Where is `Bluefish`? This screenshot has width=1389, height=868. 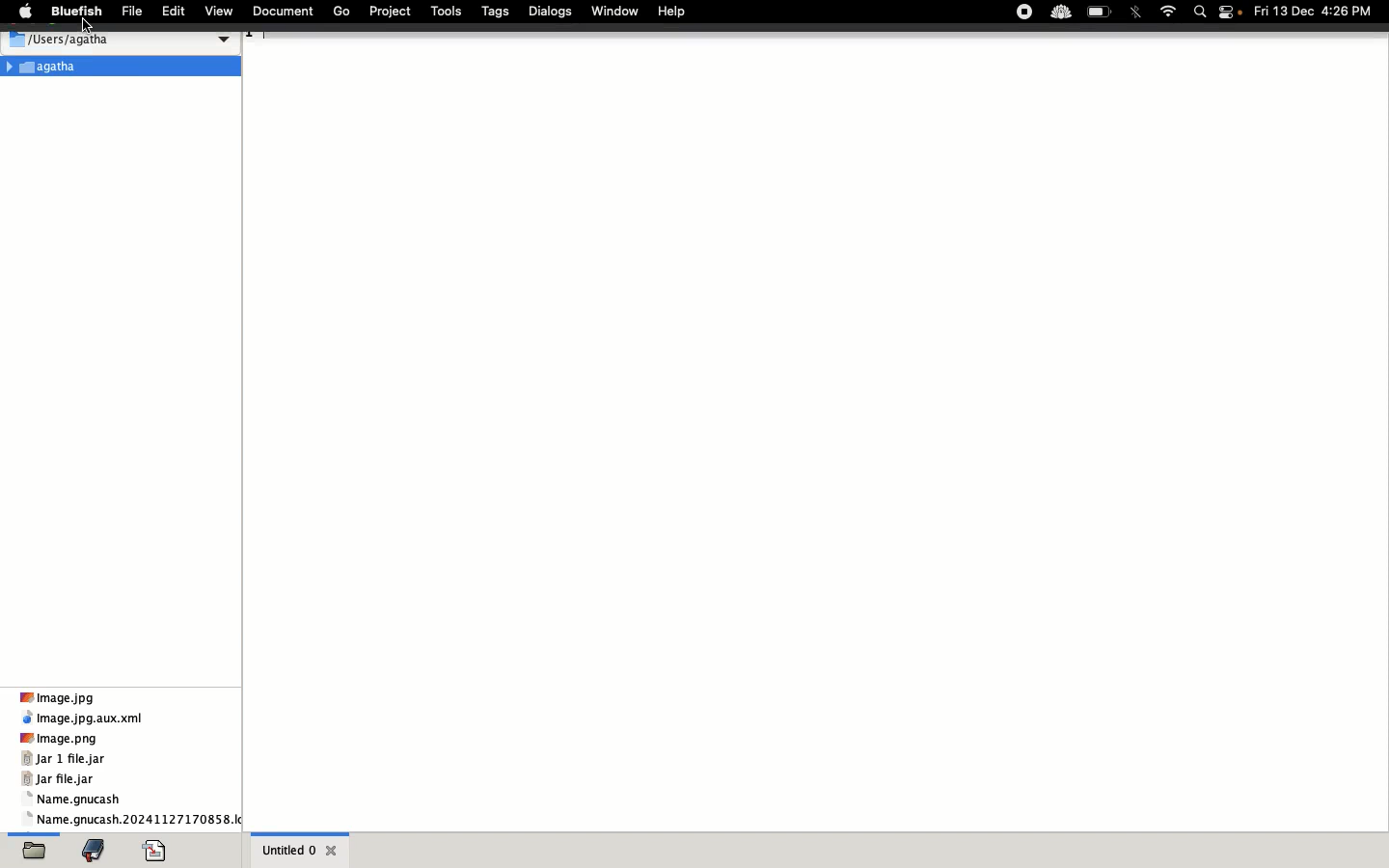
Bluefish is located at coordinates (74, 13).